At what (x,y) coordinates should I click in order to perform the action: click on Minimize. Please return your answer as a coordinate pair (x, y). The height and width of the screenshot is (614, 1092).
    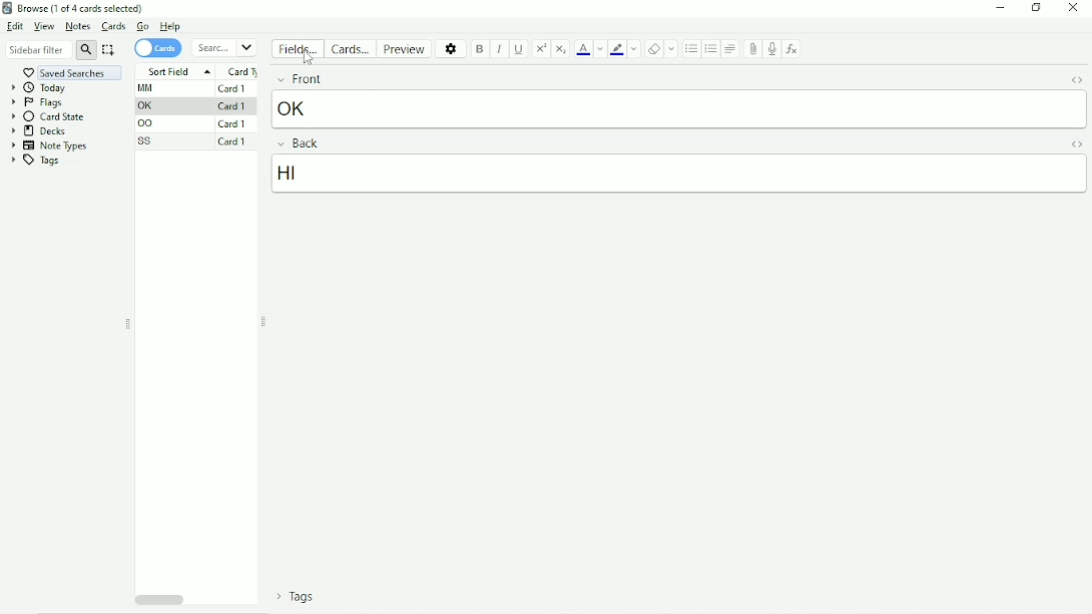
    Looking at the image, I should click on (1001, 8).